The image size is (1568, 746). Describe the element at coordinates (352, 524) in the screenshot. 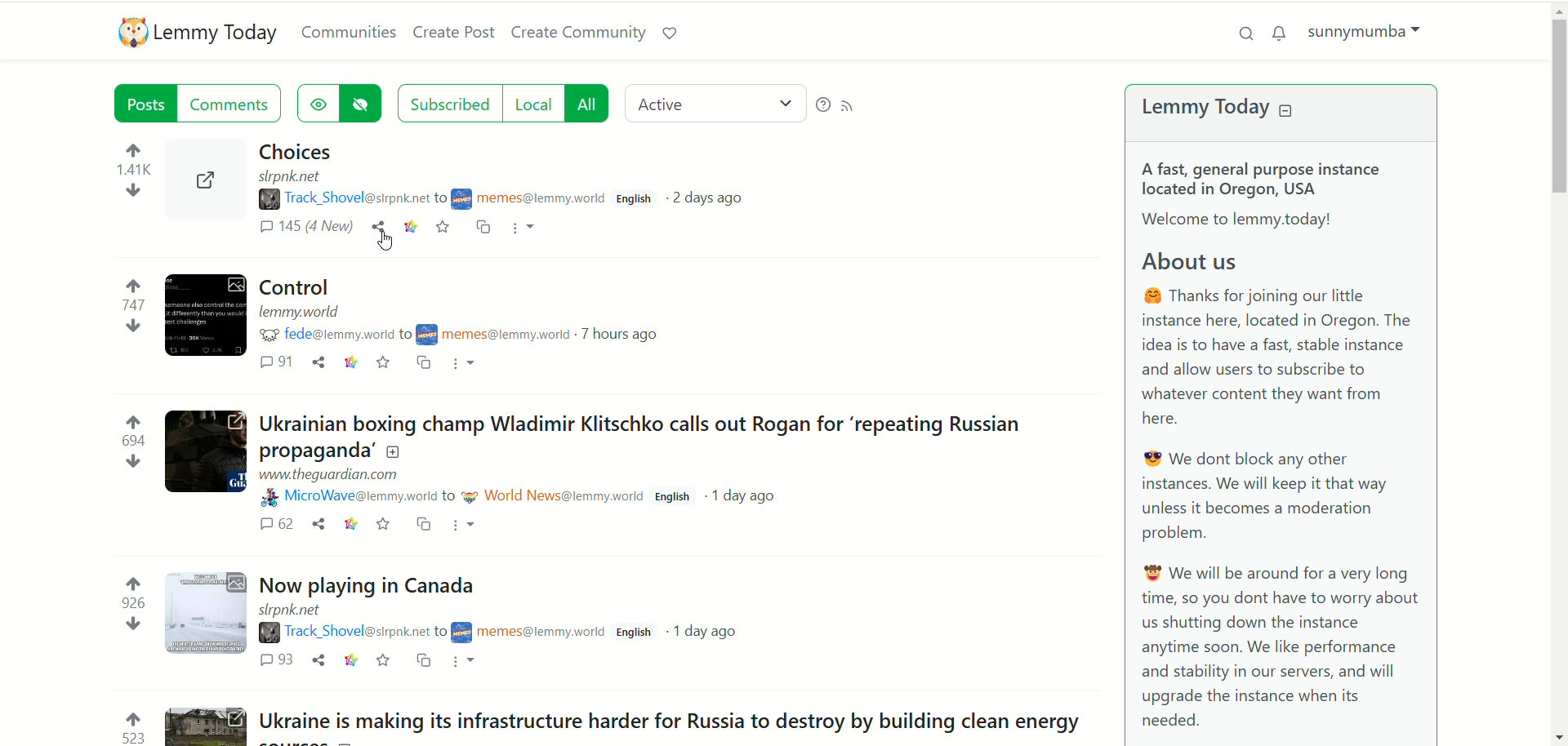

I see `link` at that location.